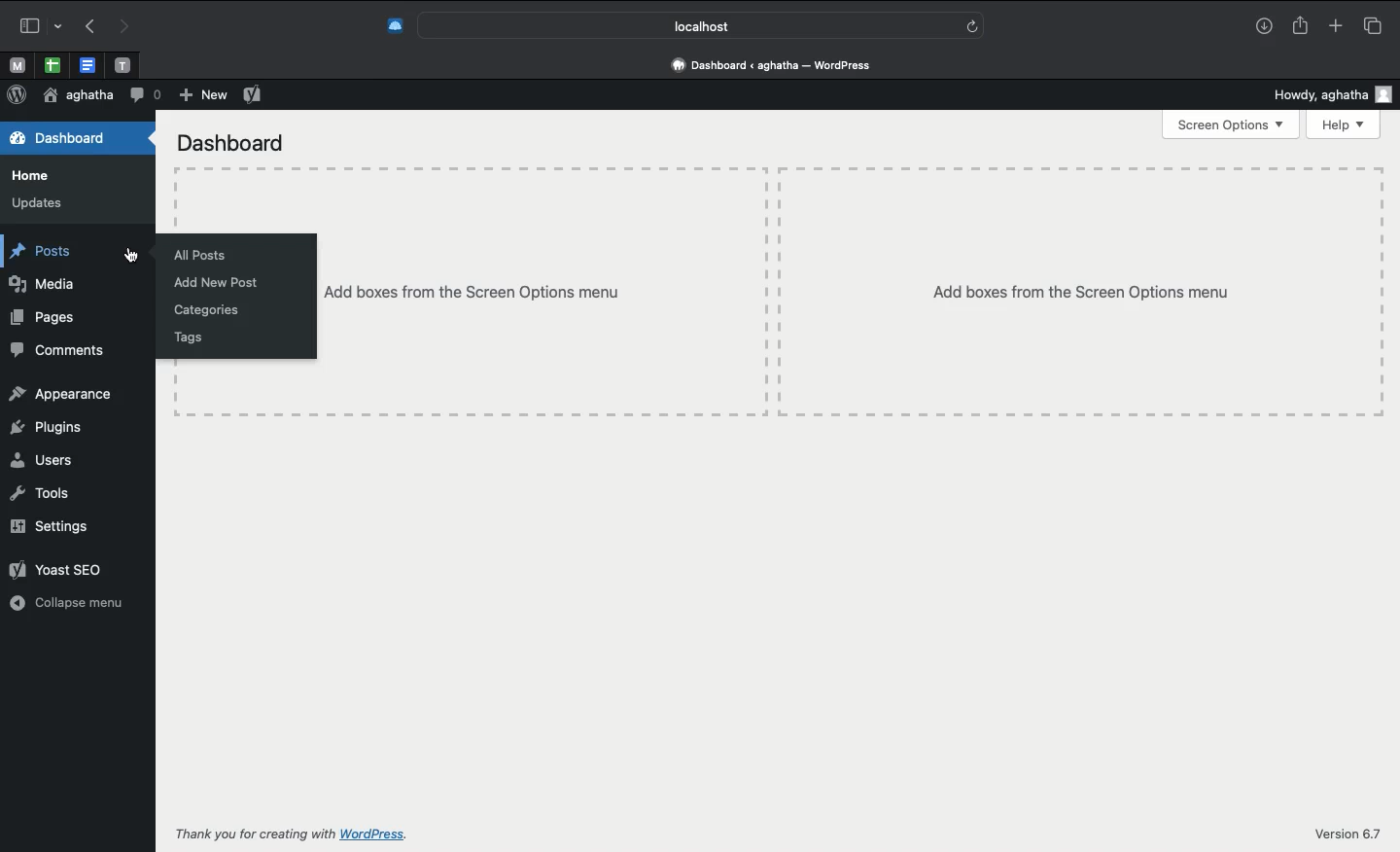 The width and height of the screenshot is (1400, 852). What do you see at coordinates (16, 63) in the screenshot?
I see `pinned tab` at bounding box center [16, 63].